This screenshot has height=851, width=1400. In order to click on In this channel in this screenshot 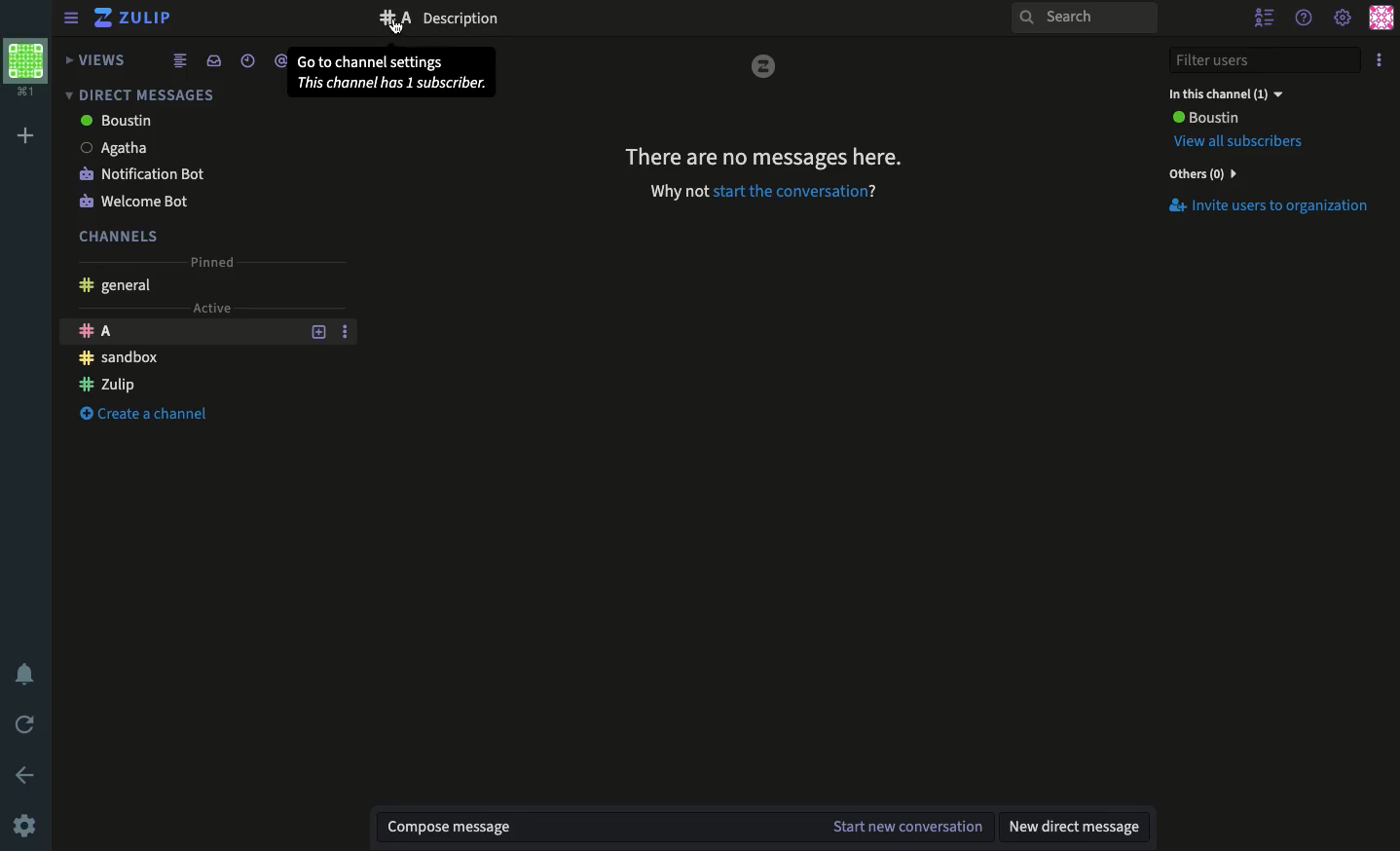, I will do `click(1225, 93)`.